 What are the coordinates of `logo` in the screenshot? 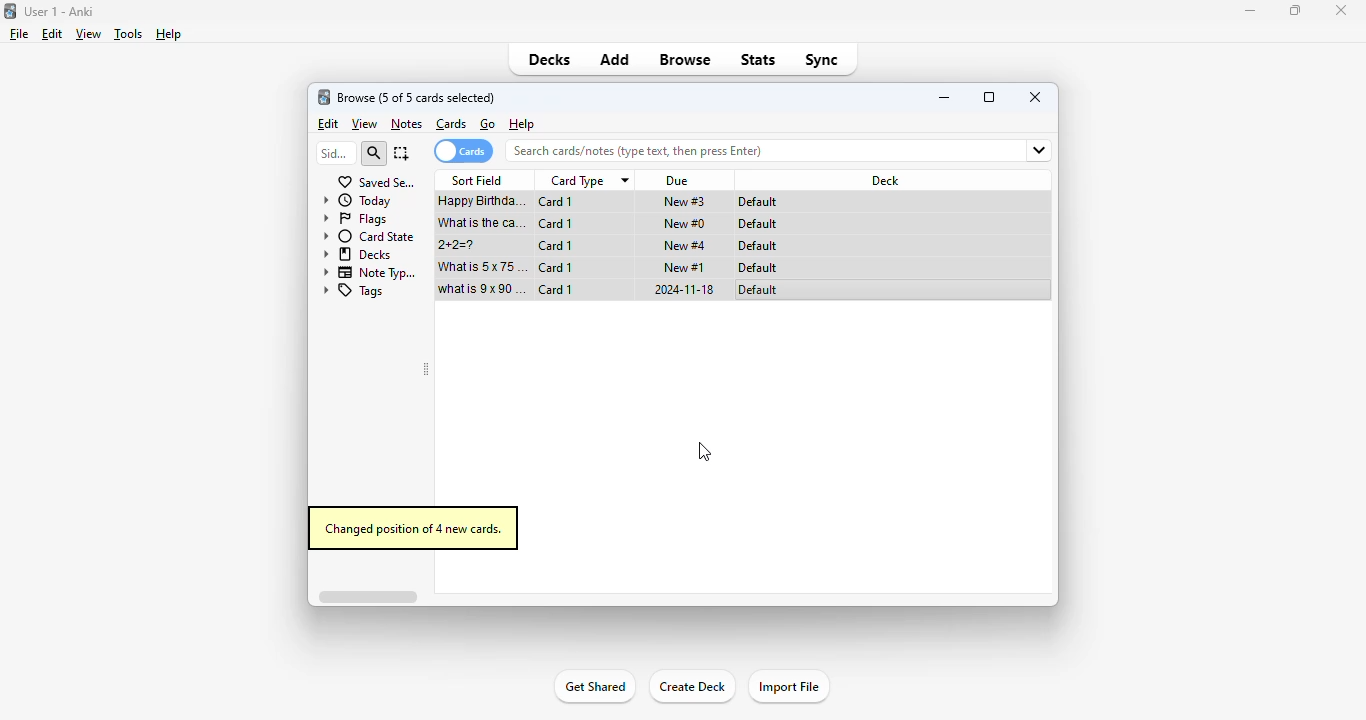 It's located at (323, 97).